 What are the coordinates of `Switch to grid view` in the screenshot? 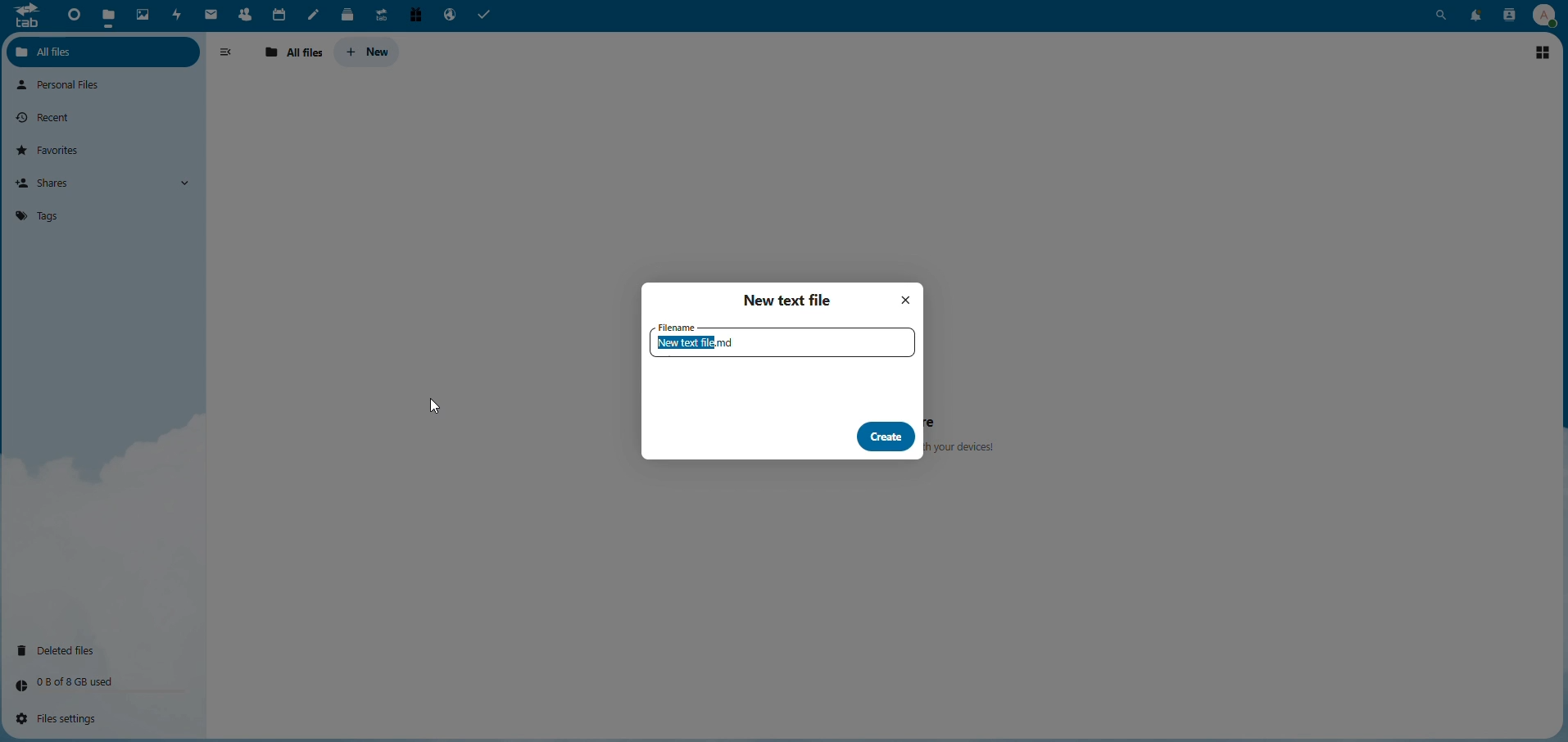 It's located at (1543, 50).